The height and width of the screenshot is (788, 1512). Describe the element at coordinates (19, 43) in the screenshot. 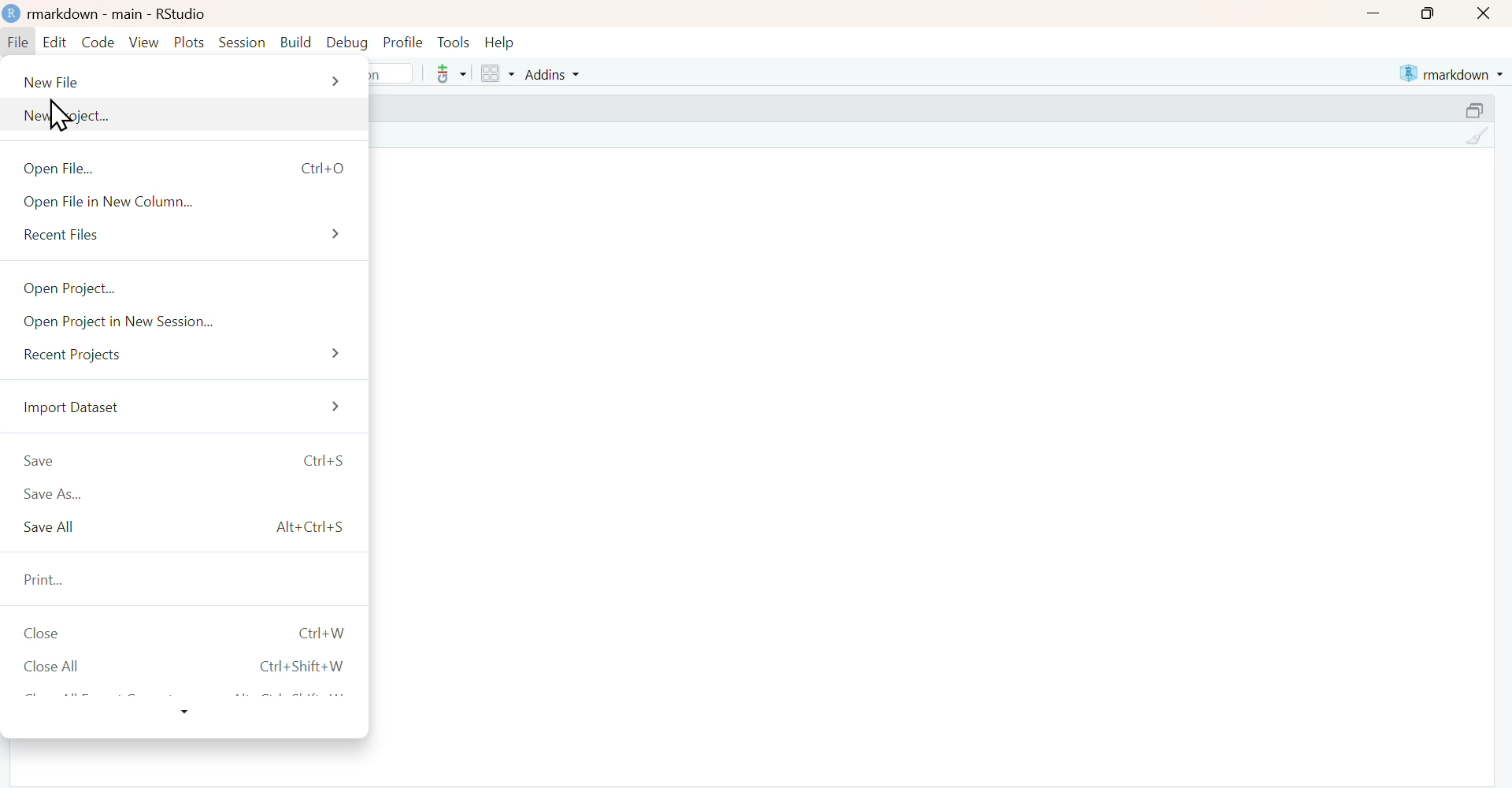

I see `File` at that location.